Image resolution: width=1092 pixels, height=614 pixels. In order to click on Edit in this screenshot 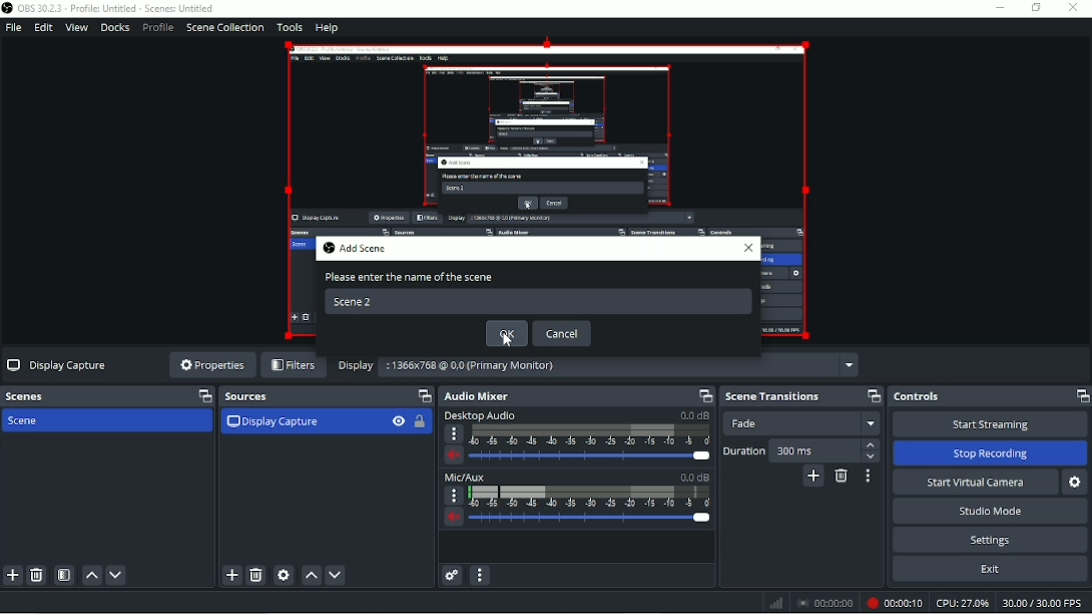, I will do `click(42, 28)`.